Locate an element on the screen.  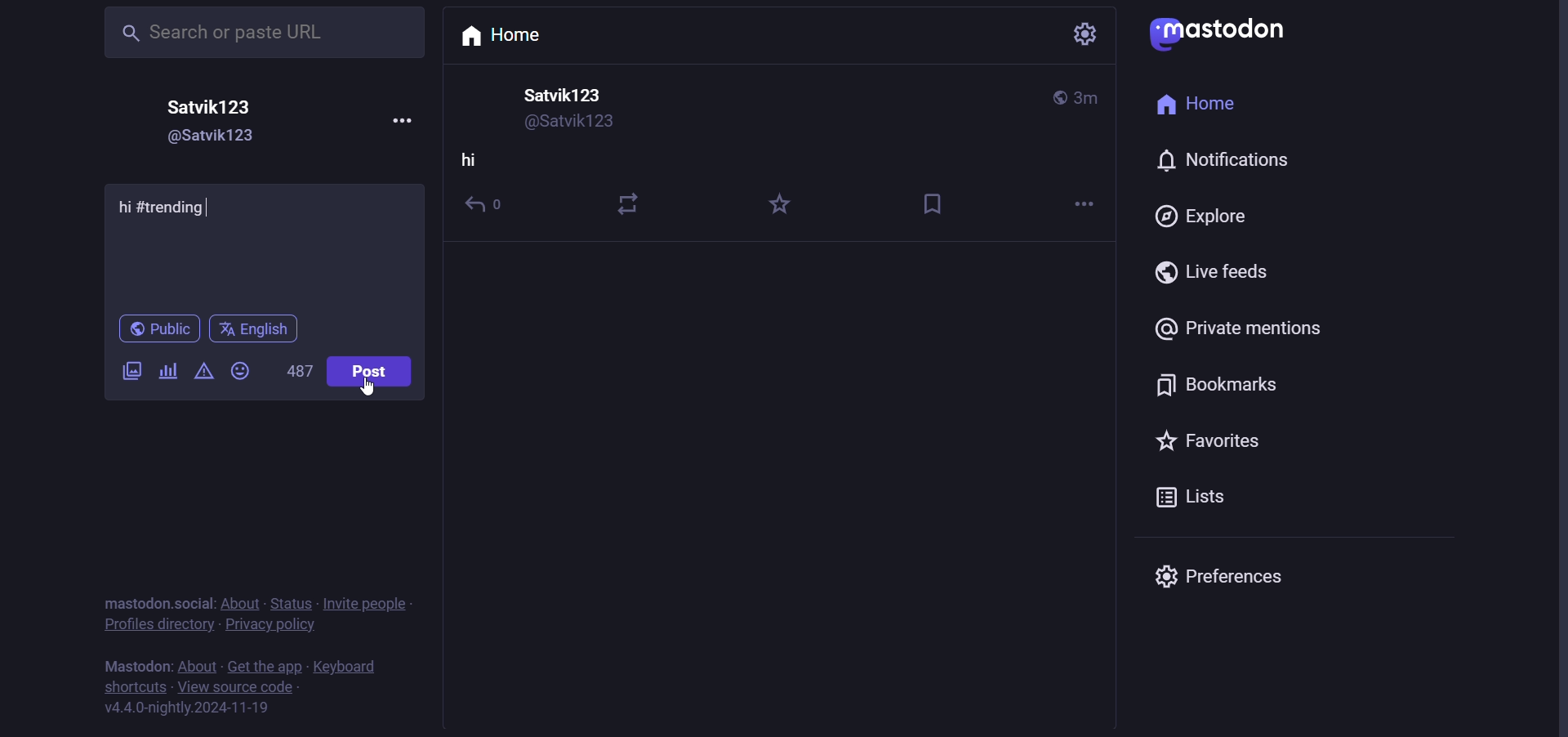
mastodon is located at coordinates (1225, 32).